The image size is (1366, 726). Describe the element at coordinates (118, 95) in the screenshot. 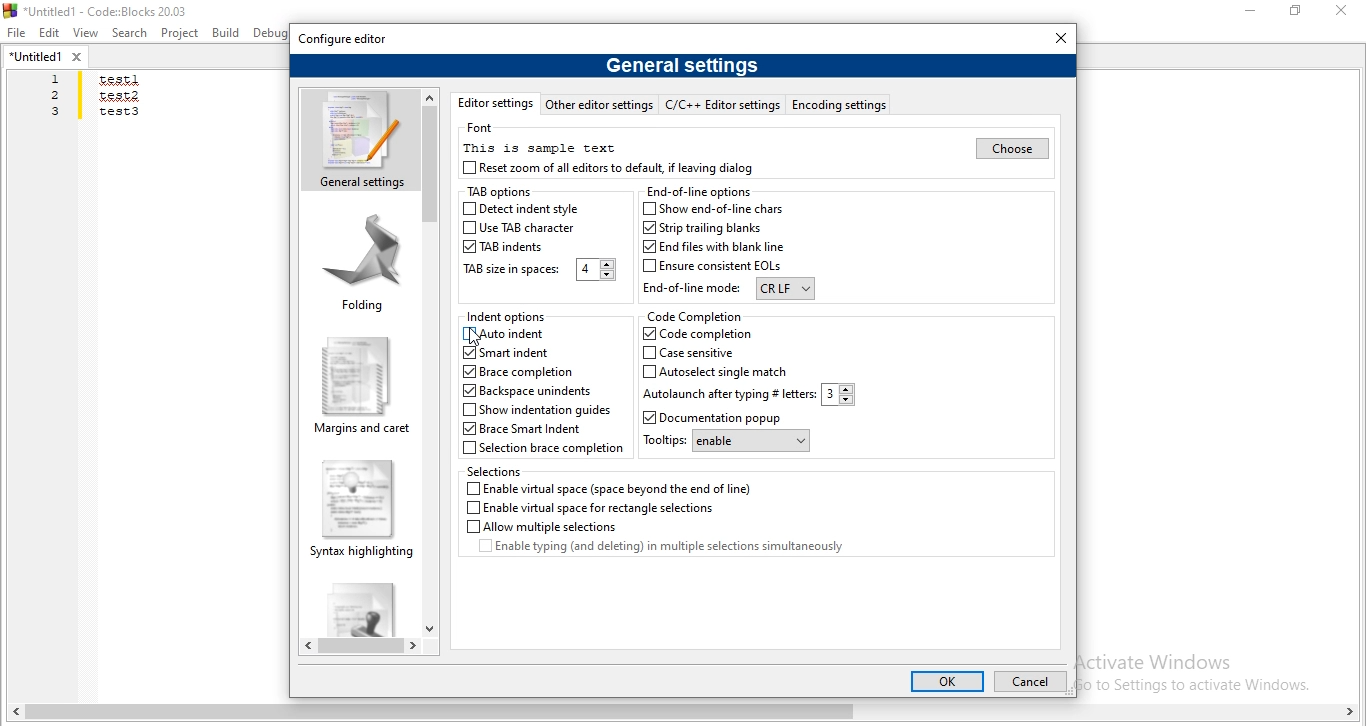

I see `test2` at that location.